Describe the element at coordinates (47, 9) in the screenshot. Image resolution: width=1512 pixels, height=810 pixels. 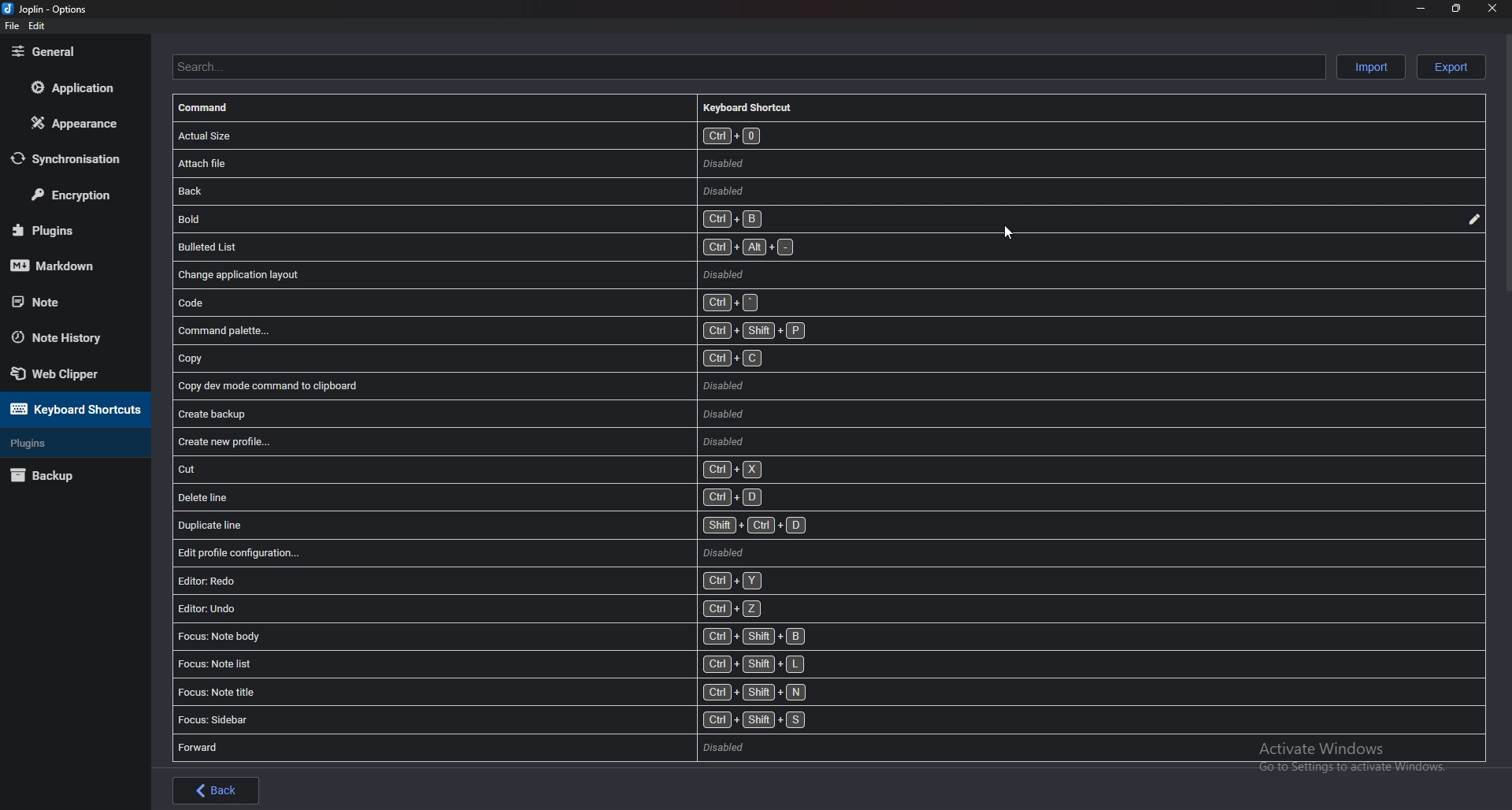
I see `joplin - Option` at that location.